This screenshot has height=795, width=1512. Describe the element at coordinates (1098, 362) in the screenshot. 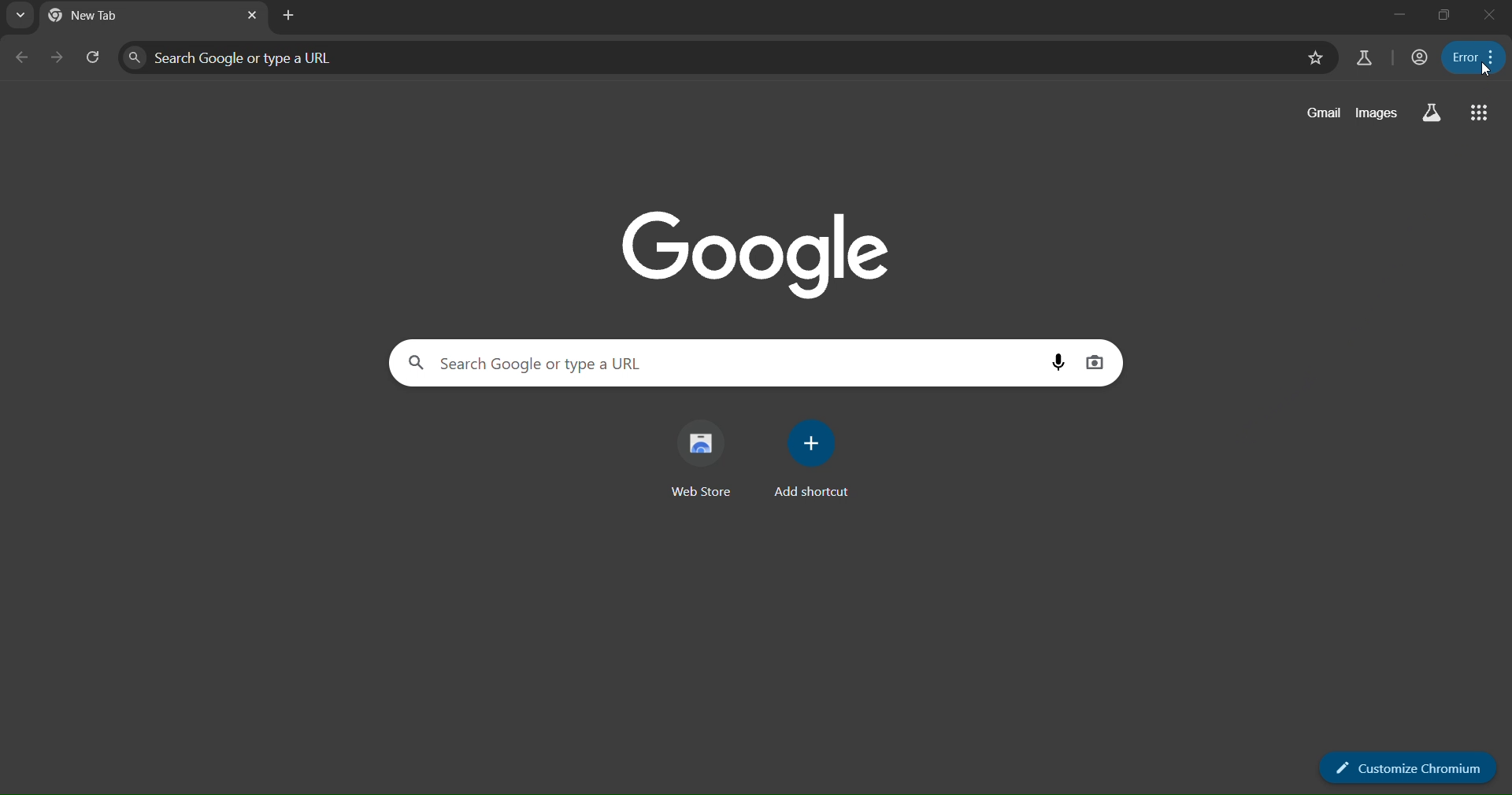

I see `image search` at that location.